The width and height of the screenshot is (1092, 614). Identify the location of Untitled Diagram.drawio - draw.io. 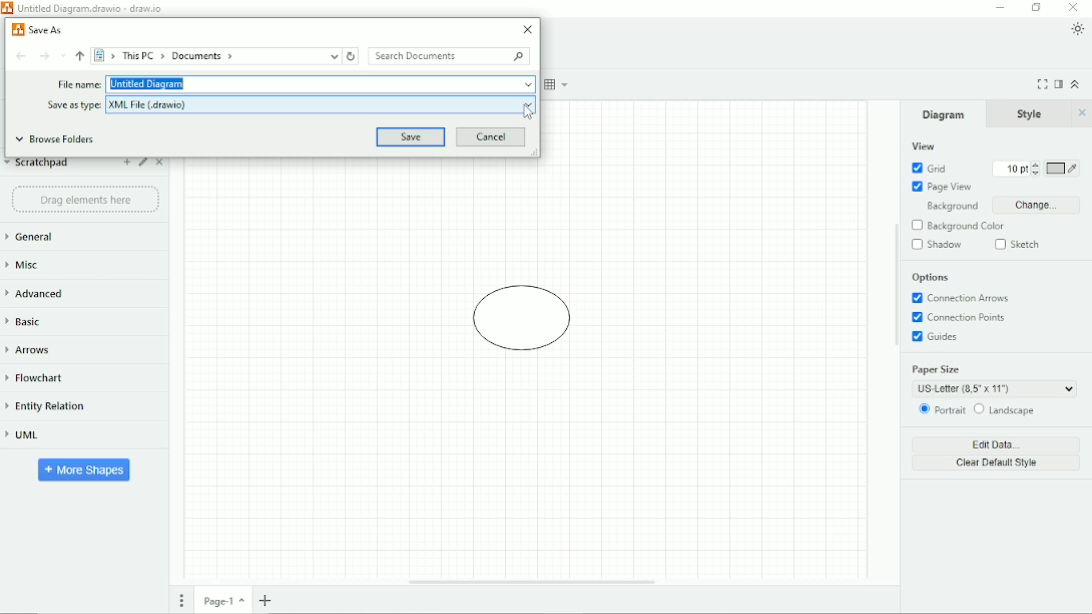
(93, 9).